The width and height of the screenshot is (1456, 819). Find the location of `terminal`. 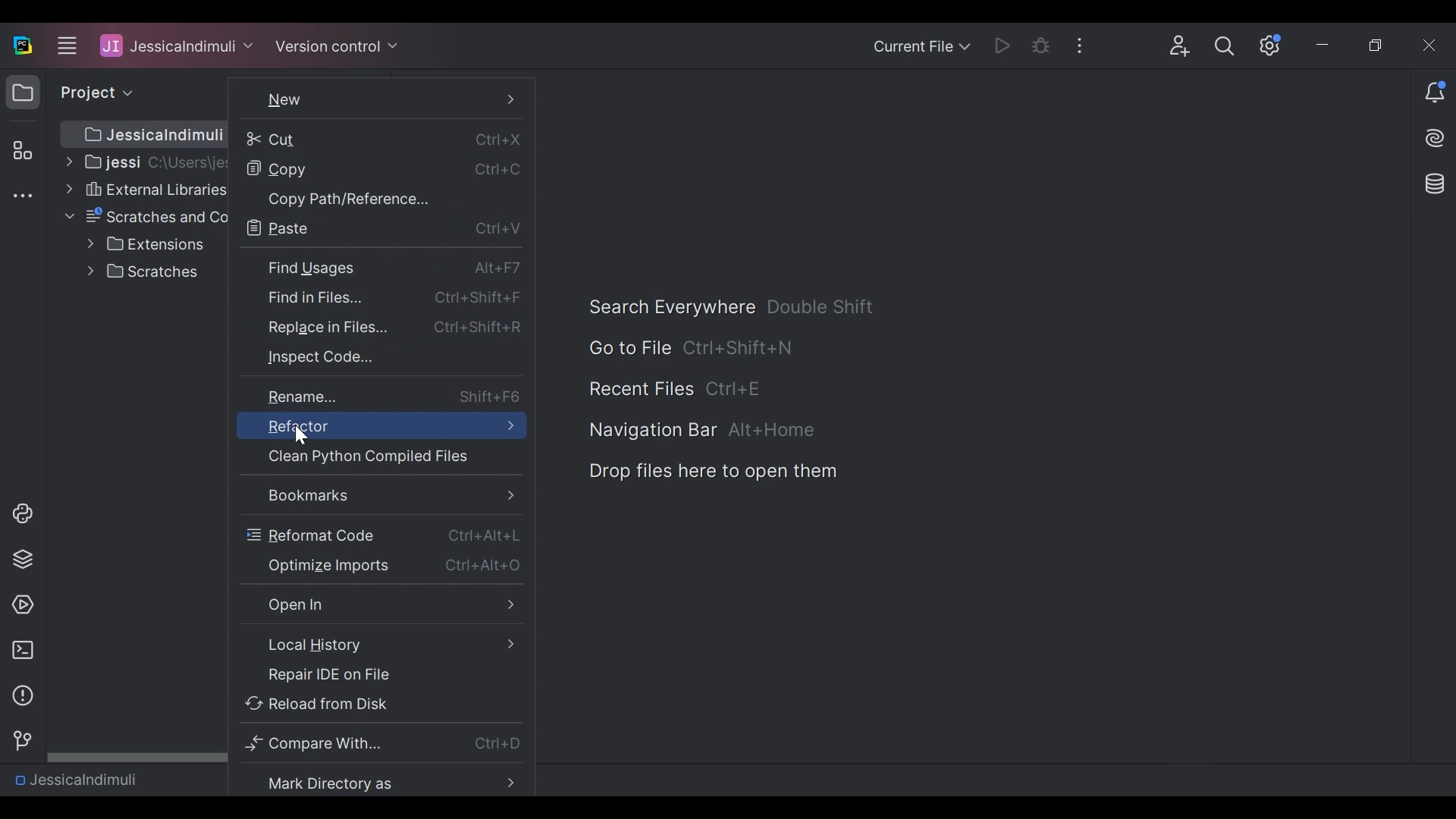

terminal is located at coordinates (18, 651).